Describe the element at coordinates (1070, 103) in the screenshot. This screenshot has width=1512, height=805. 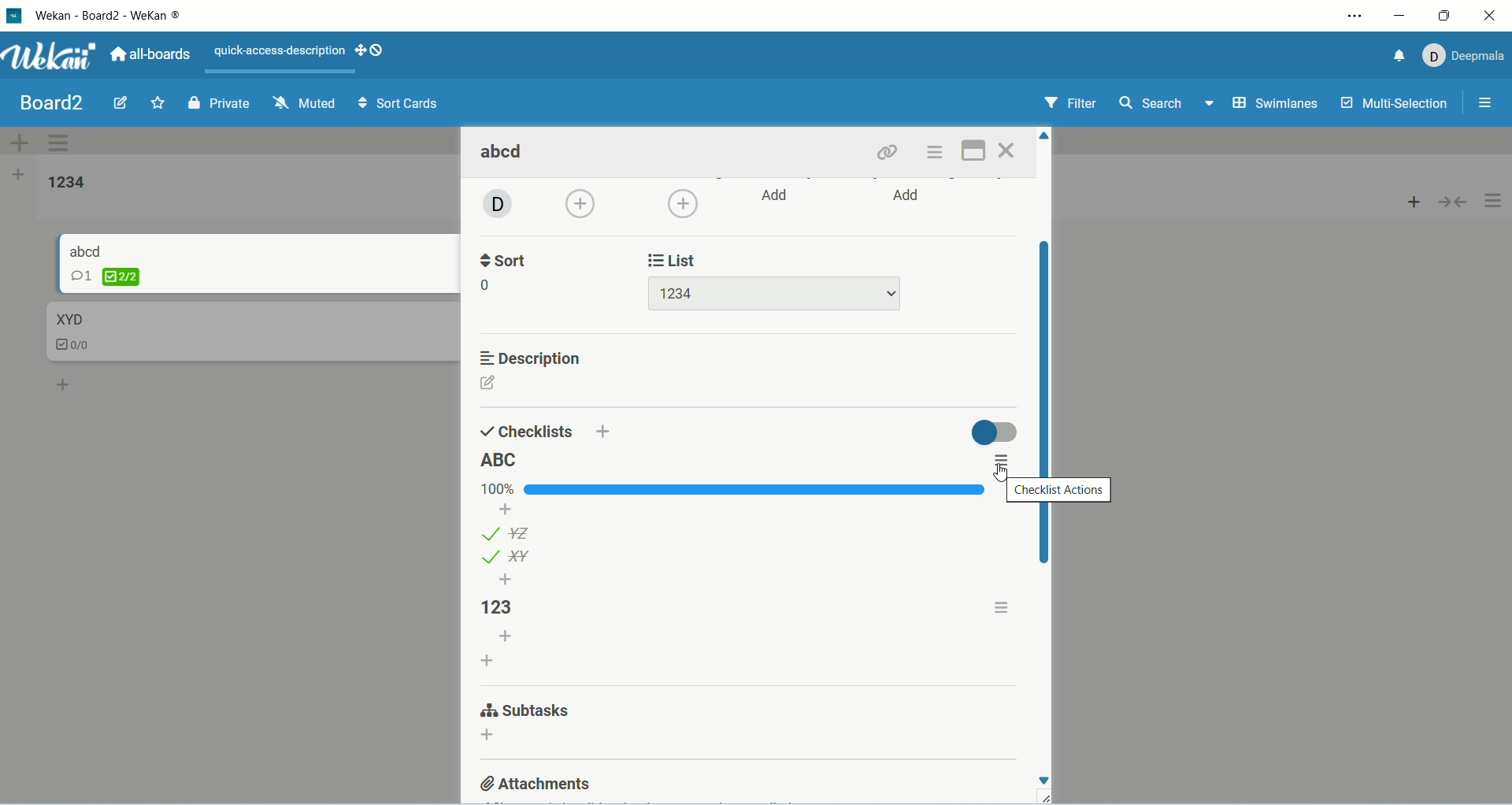
I see `filter` at that location.